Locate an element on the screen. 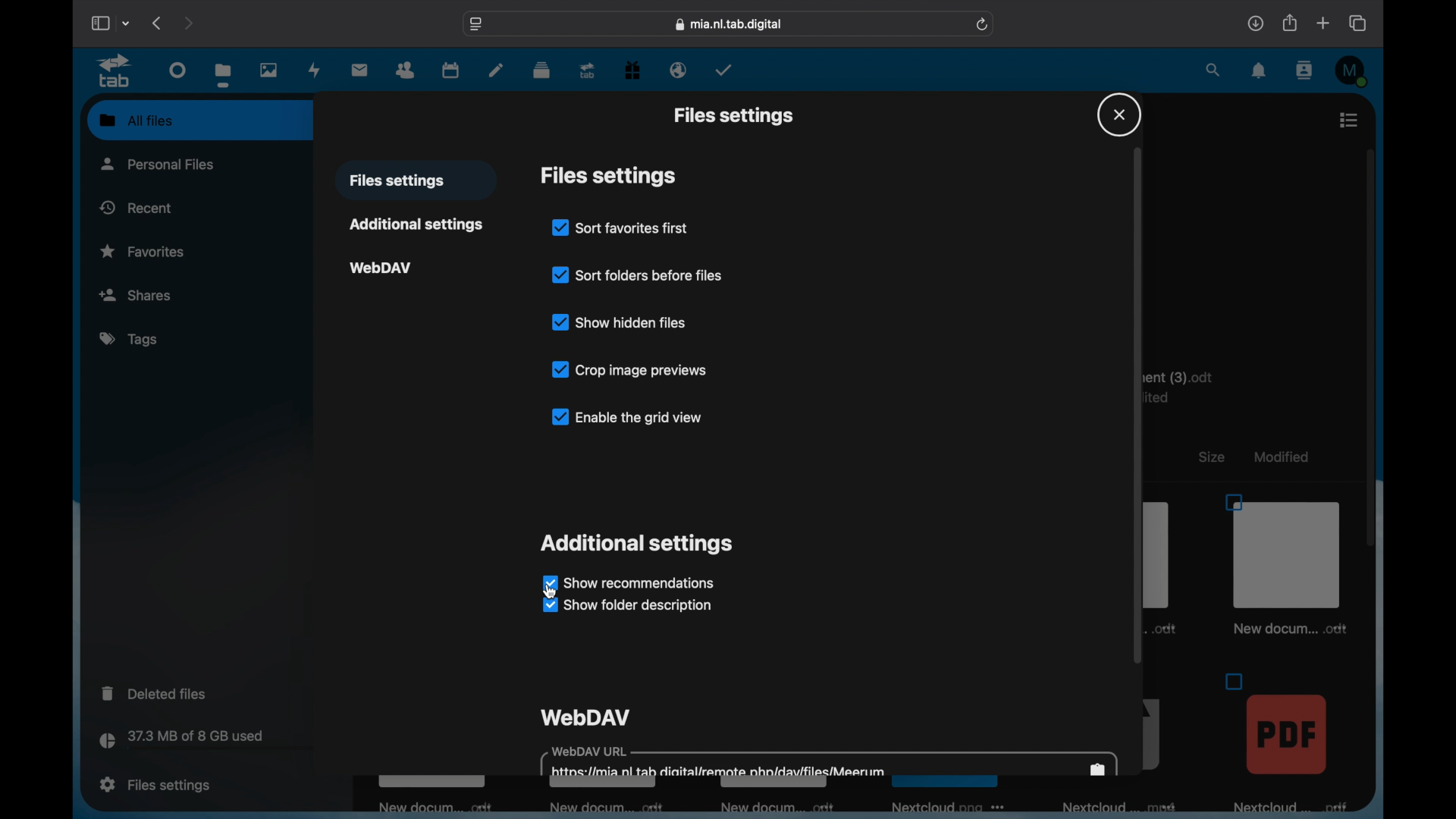  share is located at coordinates (1288, 23).